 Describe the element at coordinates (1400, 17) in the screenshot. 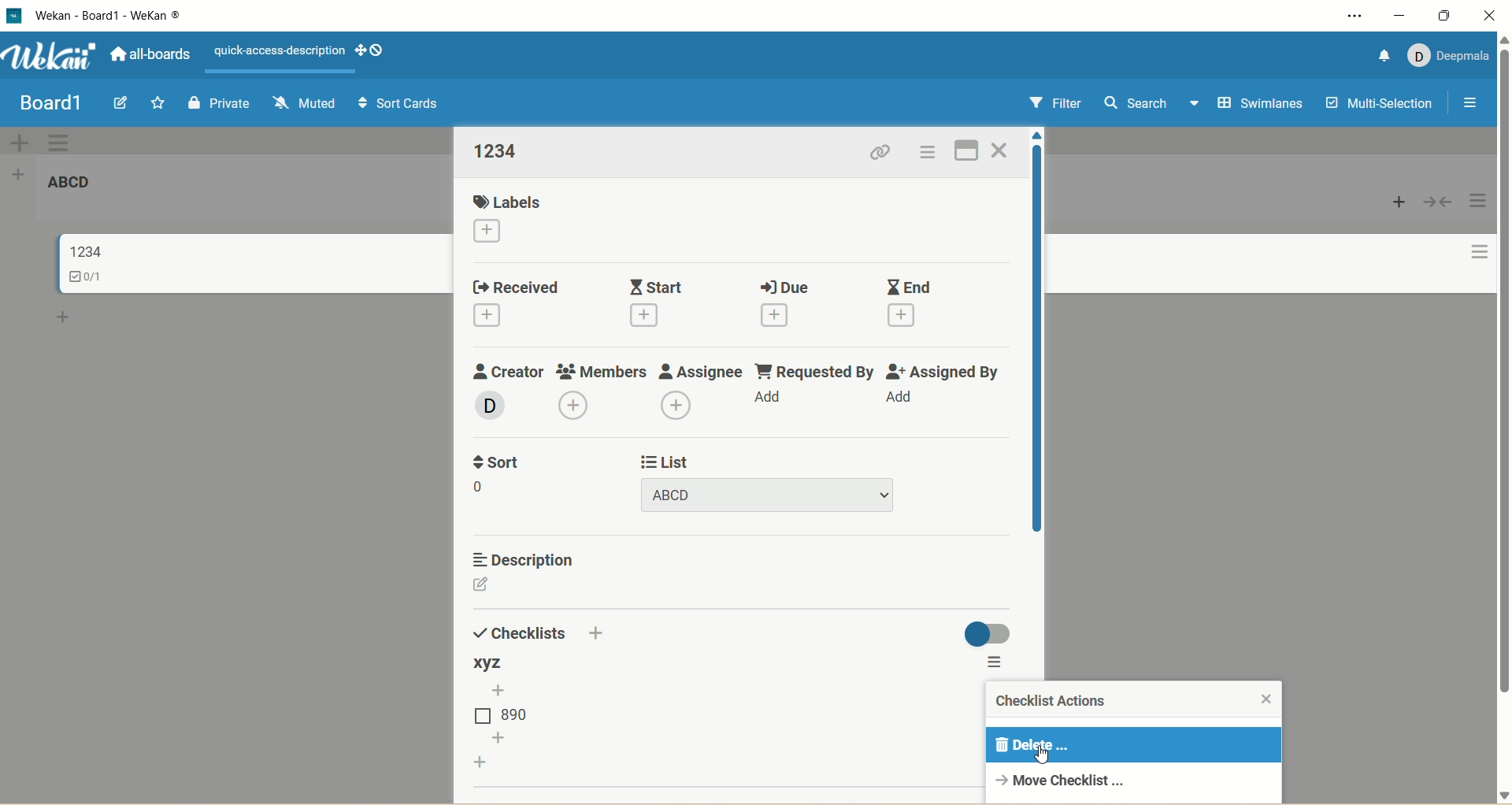

I see `minimize` at that location.